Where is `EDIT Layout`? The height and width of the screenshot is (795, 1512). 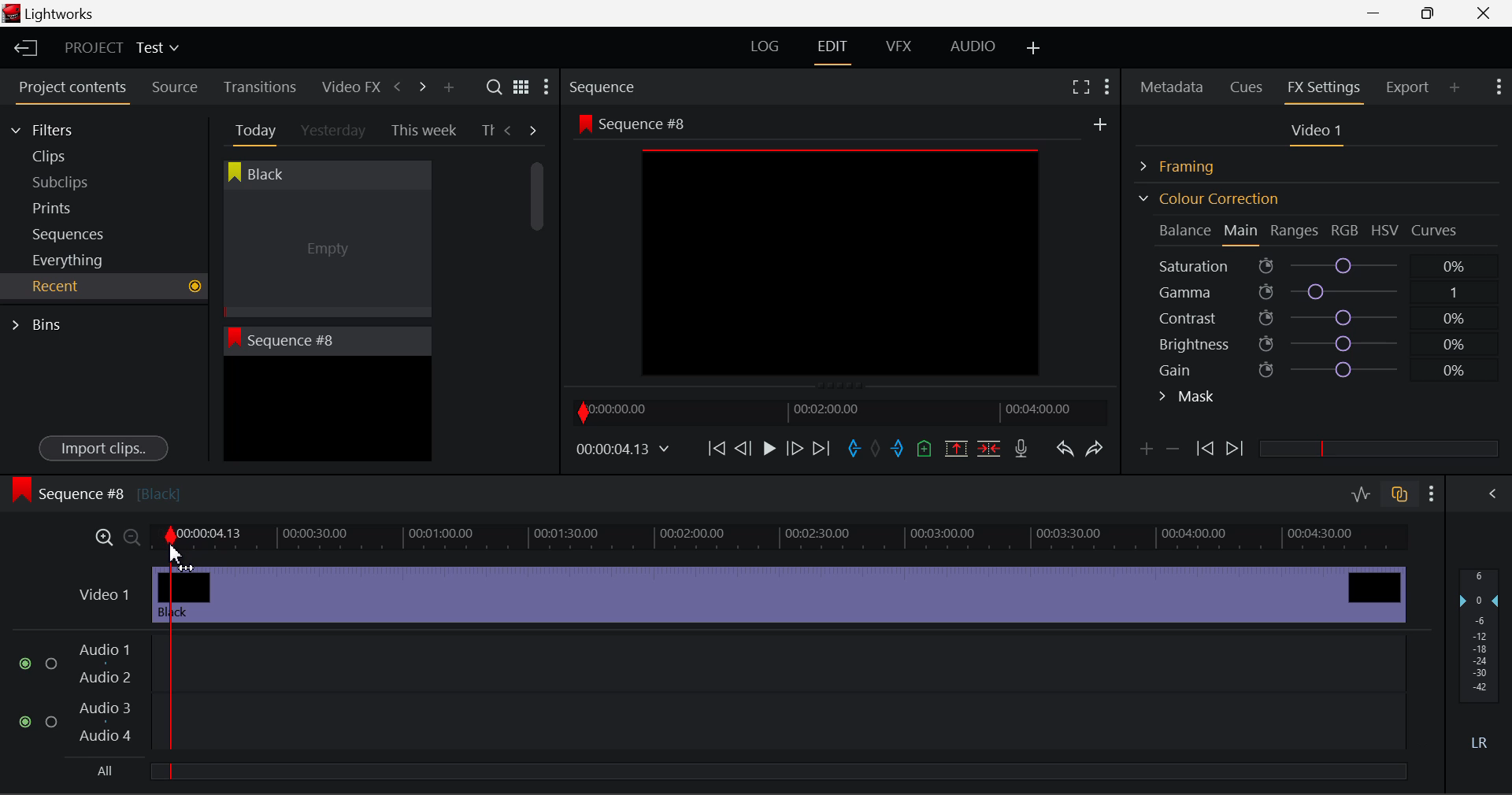
EDIT Layout is located at coordinates (835, 50).